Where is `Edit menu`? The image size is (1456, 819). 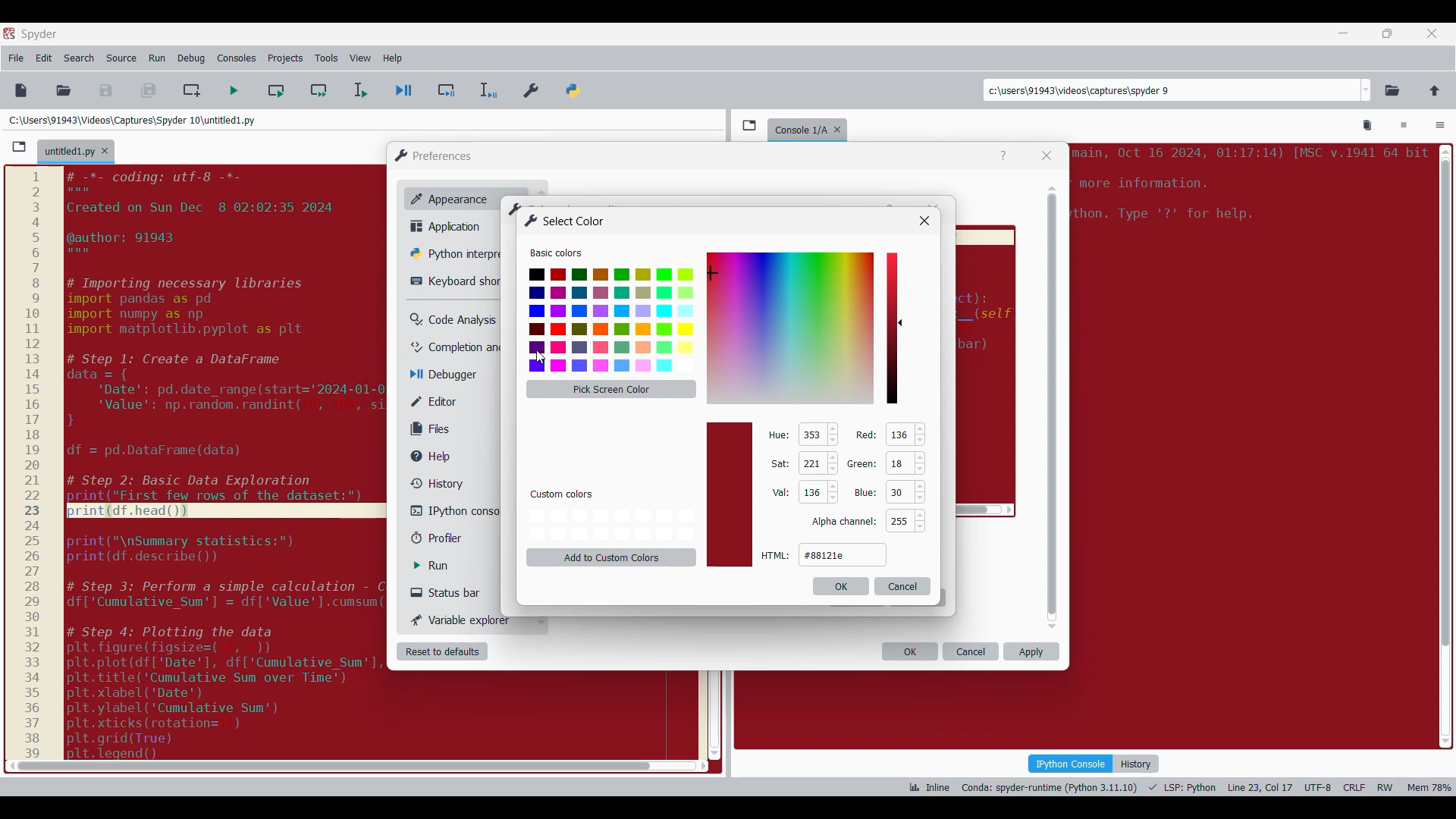
Edit menu is located at coordinates (44, 58).